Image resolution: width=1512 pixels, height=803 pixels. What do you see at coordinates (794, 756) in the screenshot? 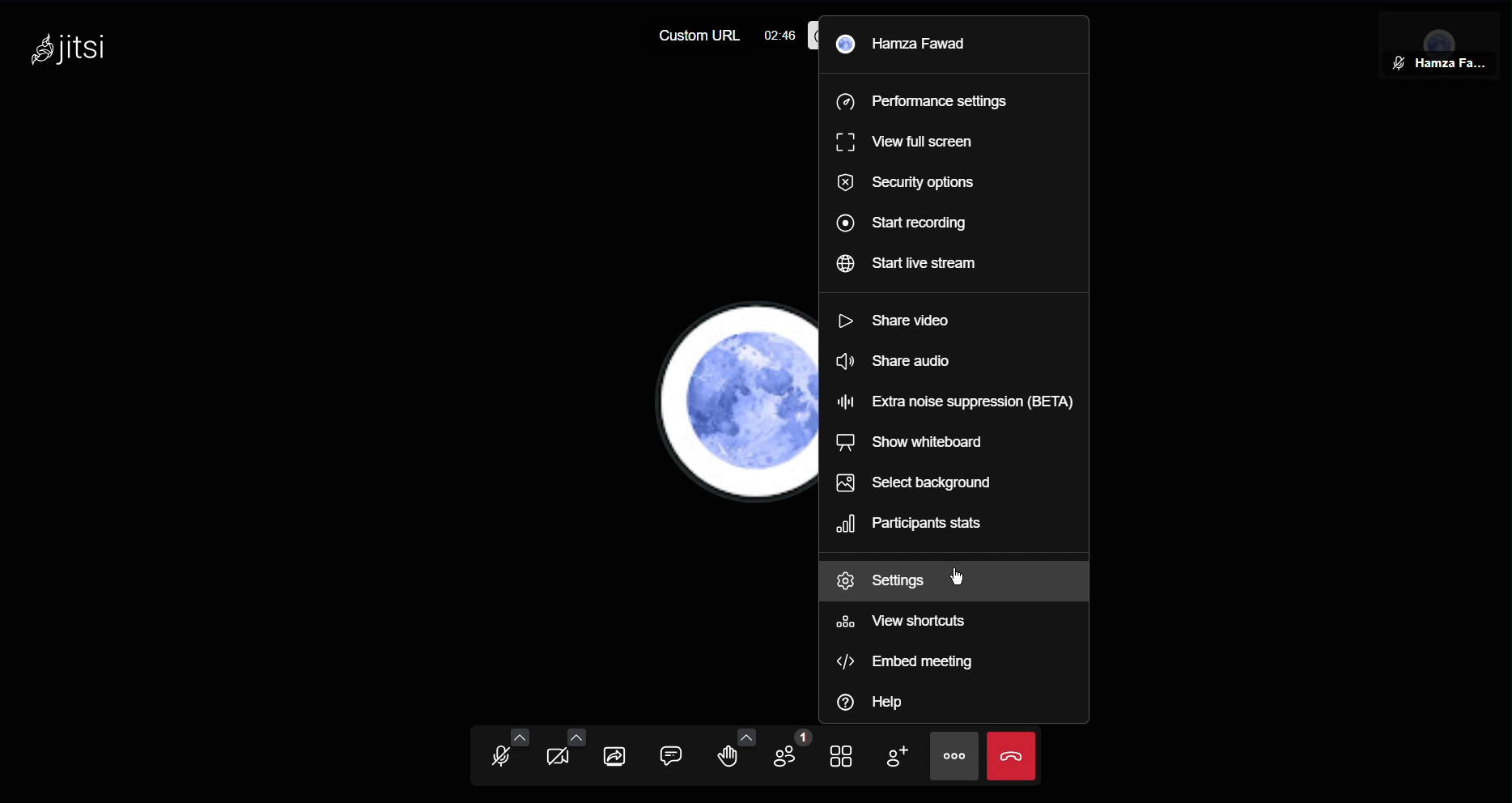
I see `Participants` at bounding box center [794, 756].